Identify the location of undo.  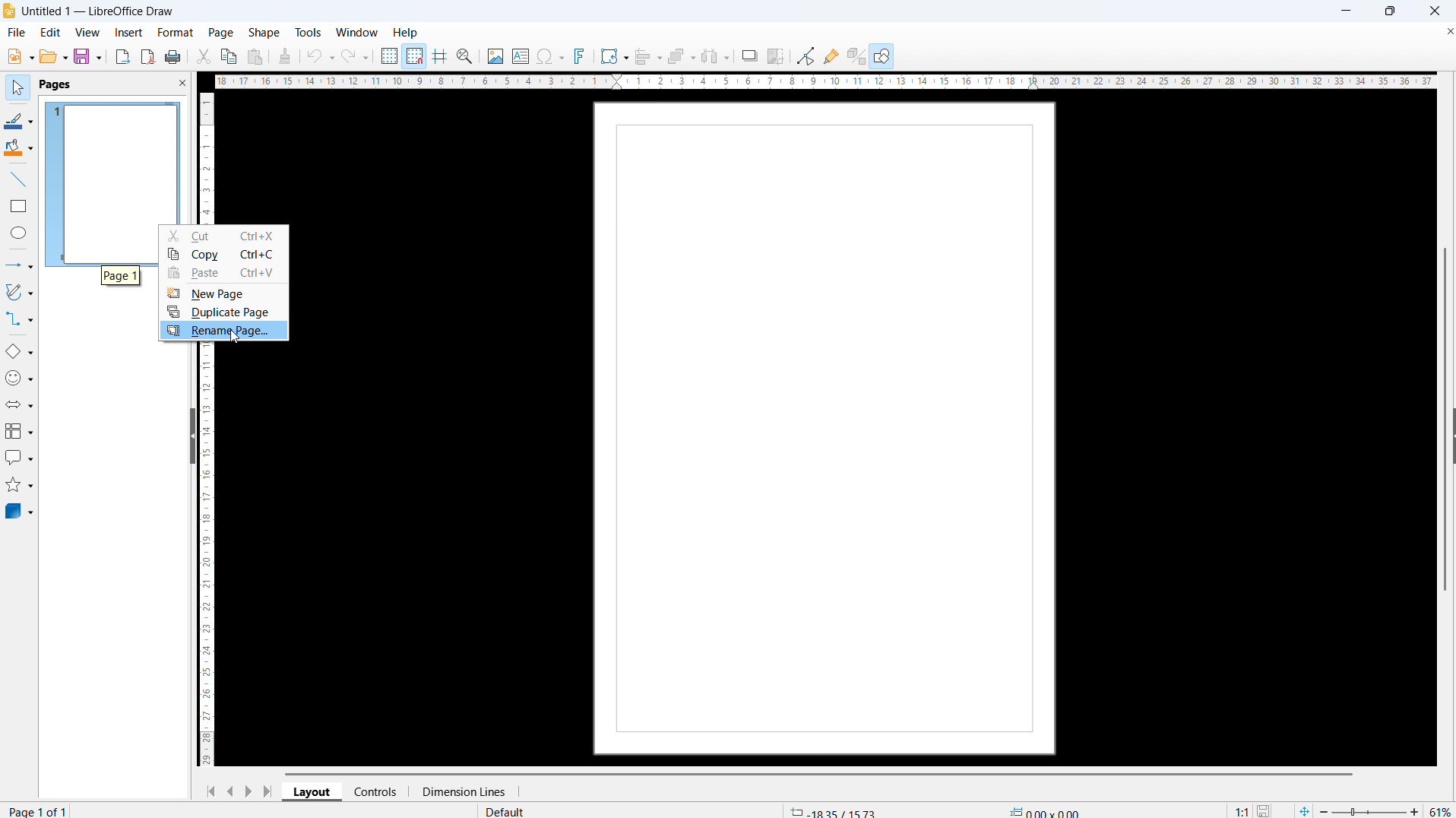
(321, 56).